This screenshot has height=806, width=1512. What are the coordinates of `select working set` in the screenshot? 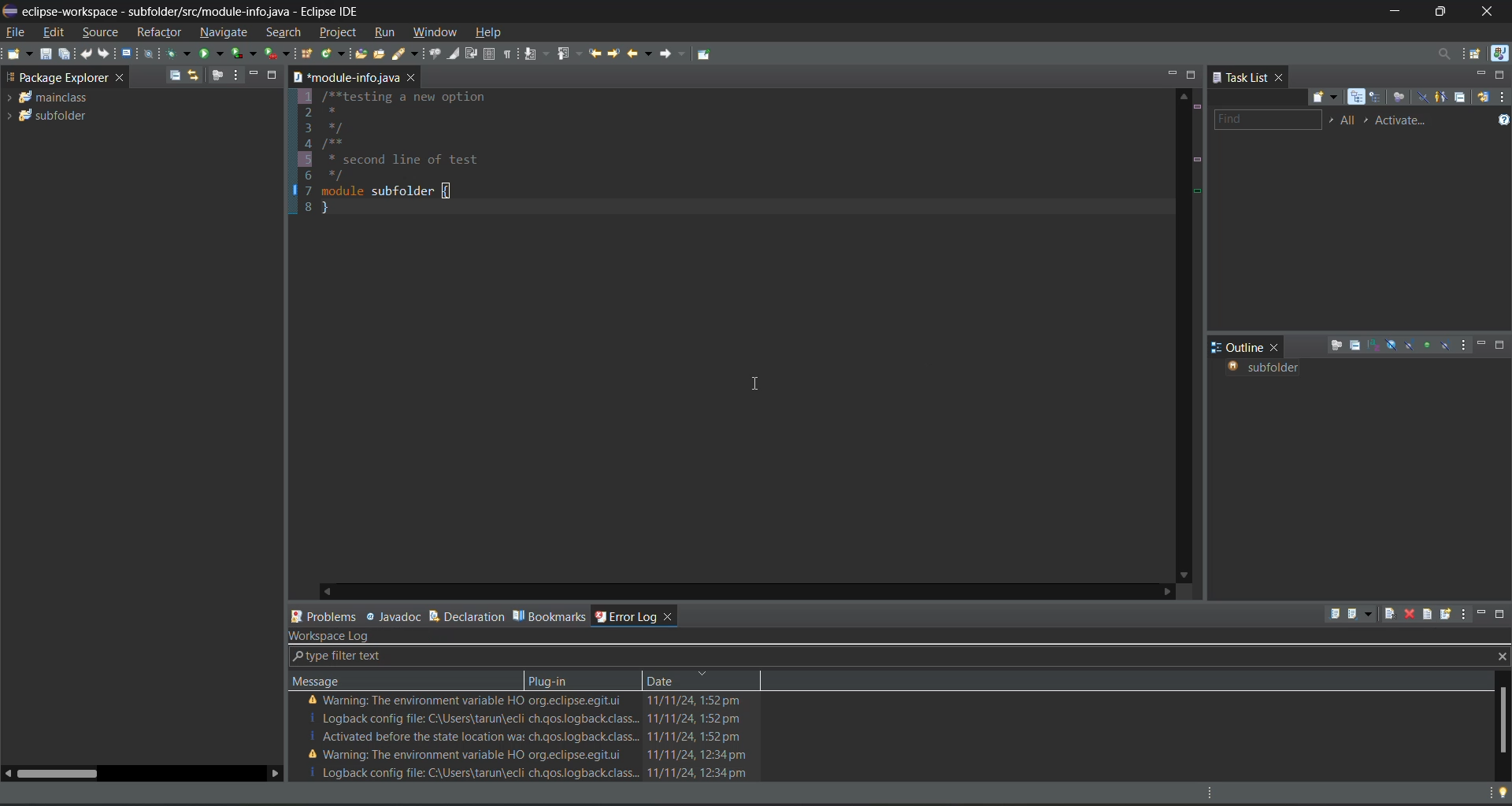 It's located at (1332, 123).